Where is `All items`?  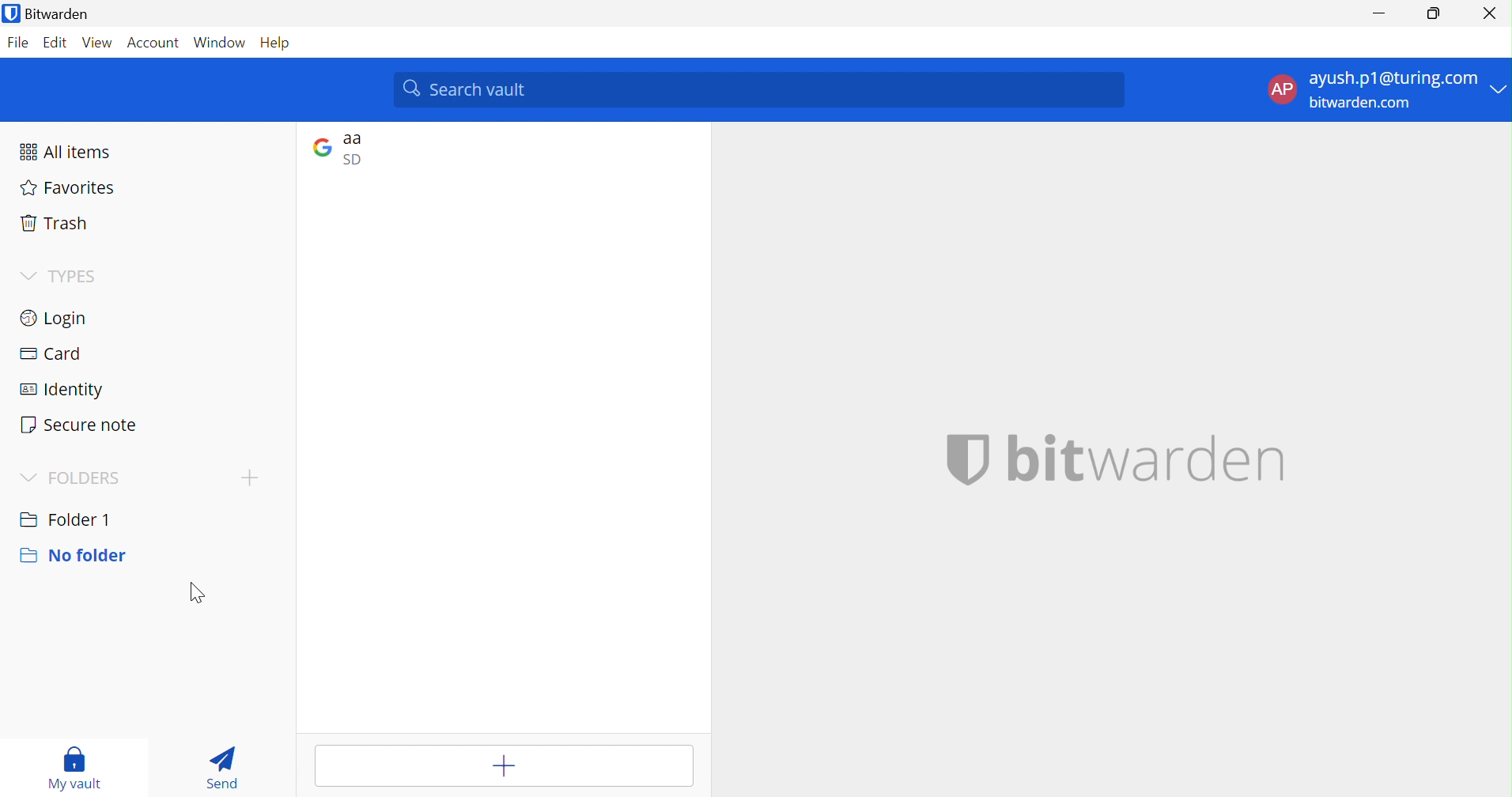 All items is located at coordinates (72, 153).